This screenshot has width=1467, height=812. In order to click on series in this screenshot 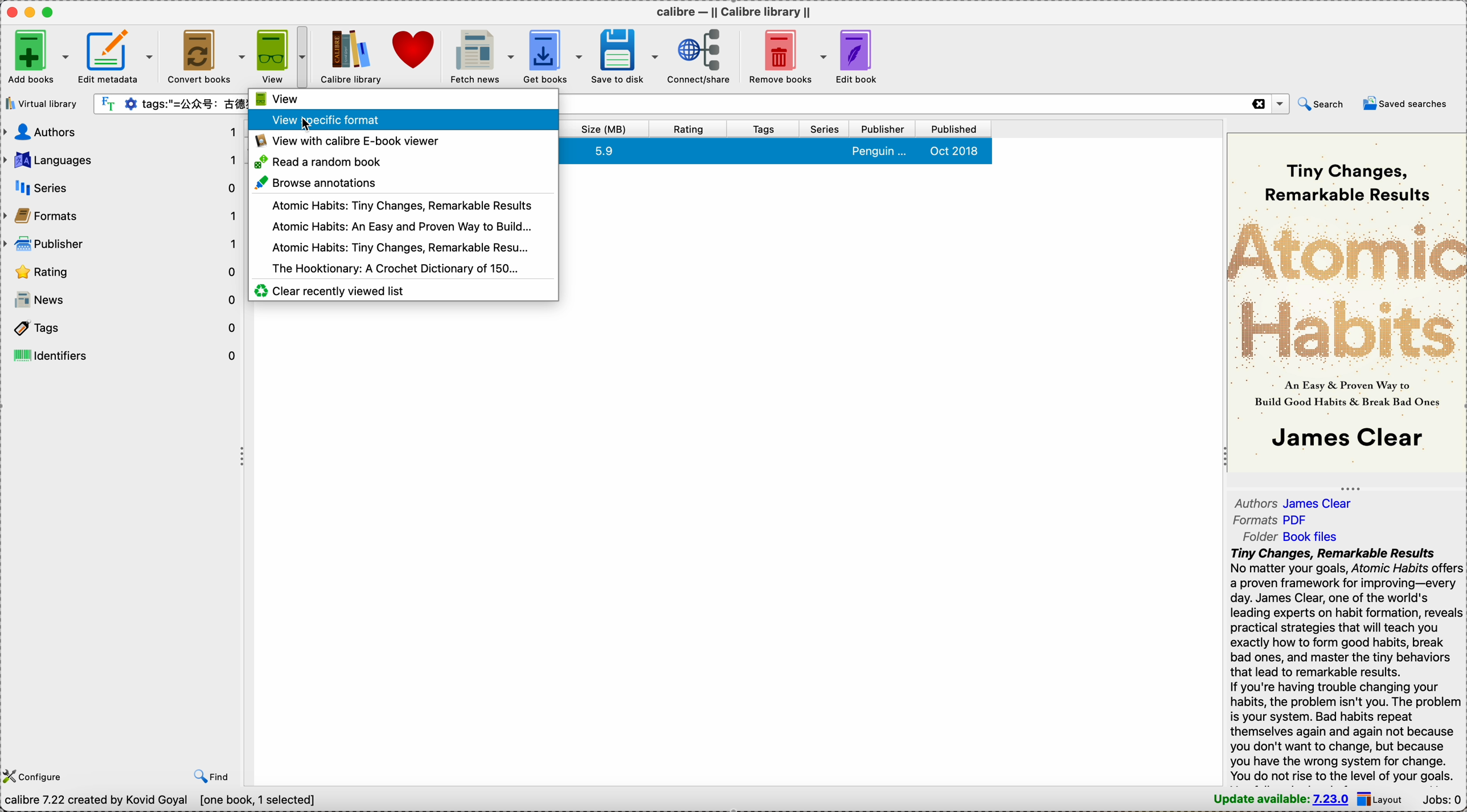, I will do `click(120, 187)`.